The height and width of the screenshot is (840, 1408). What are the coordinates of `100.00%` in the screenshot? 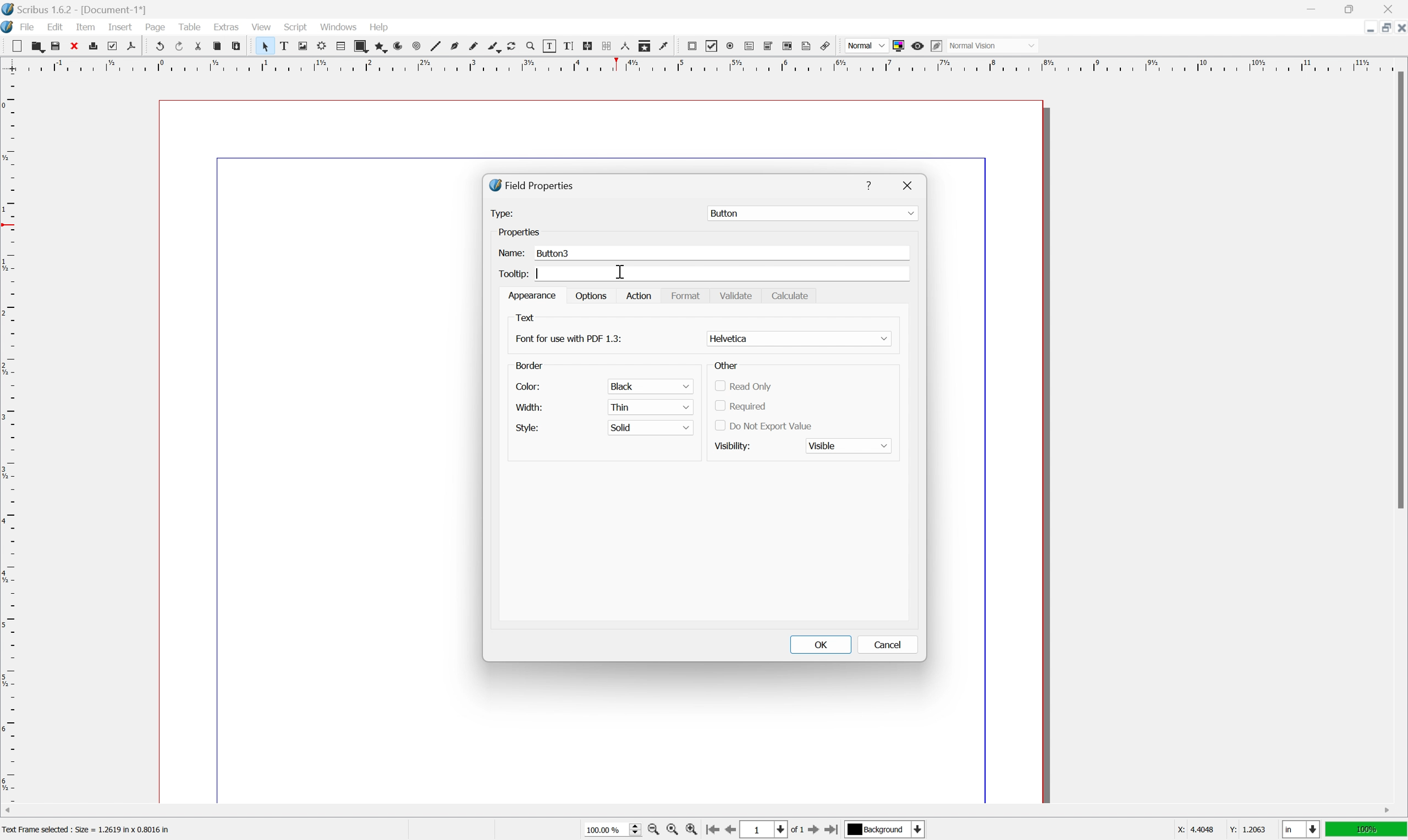 It's located at (613, 831).